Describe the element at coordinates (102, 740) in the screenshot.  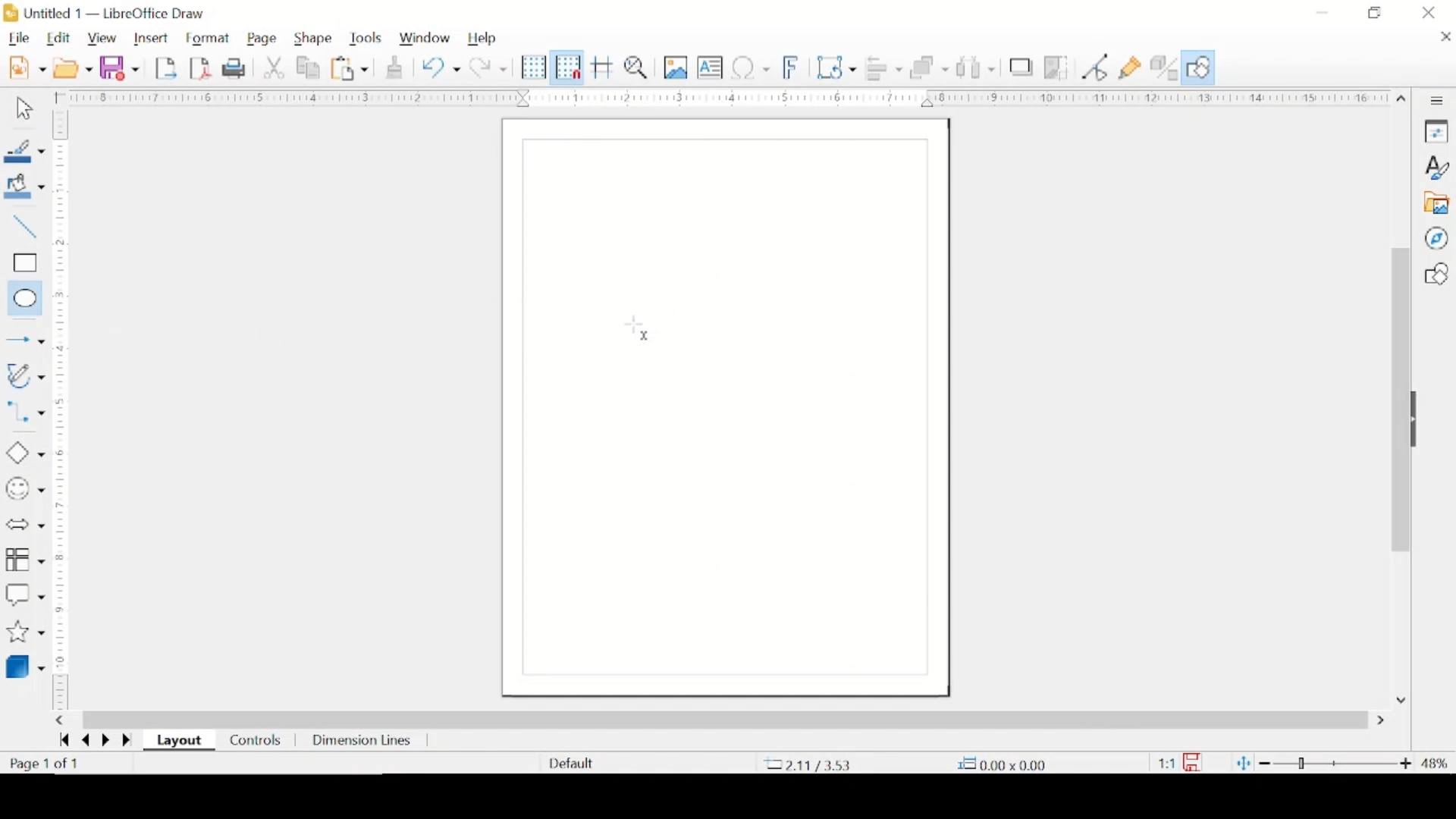
I see `go next` at that location.